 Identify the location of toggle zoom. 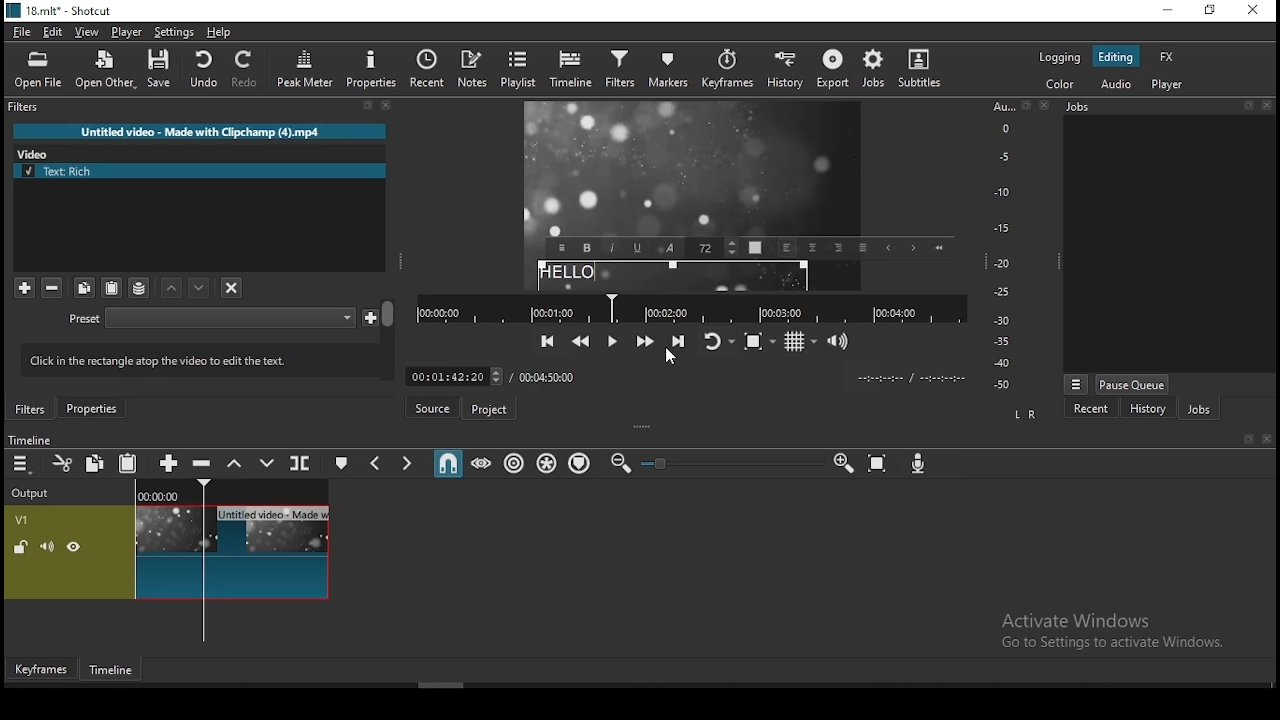
(760, 341).